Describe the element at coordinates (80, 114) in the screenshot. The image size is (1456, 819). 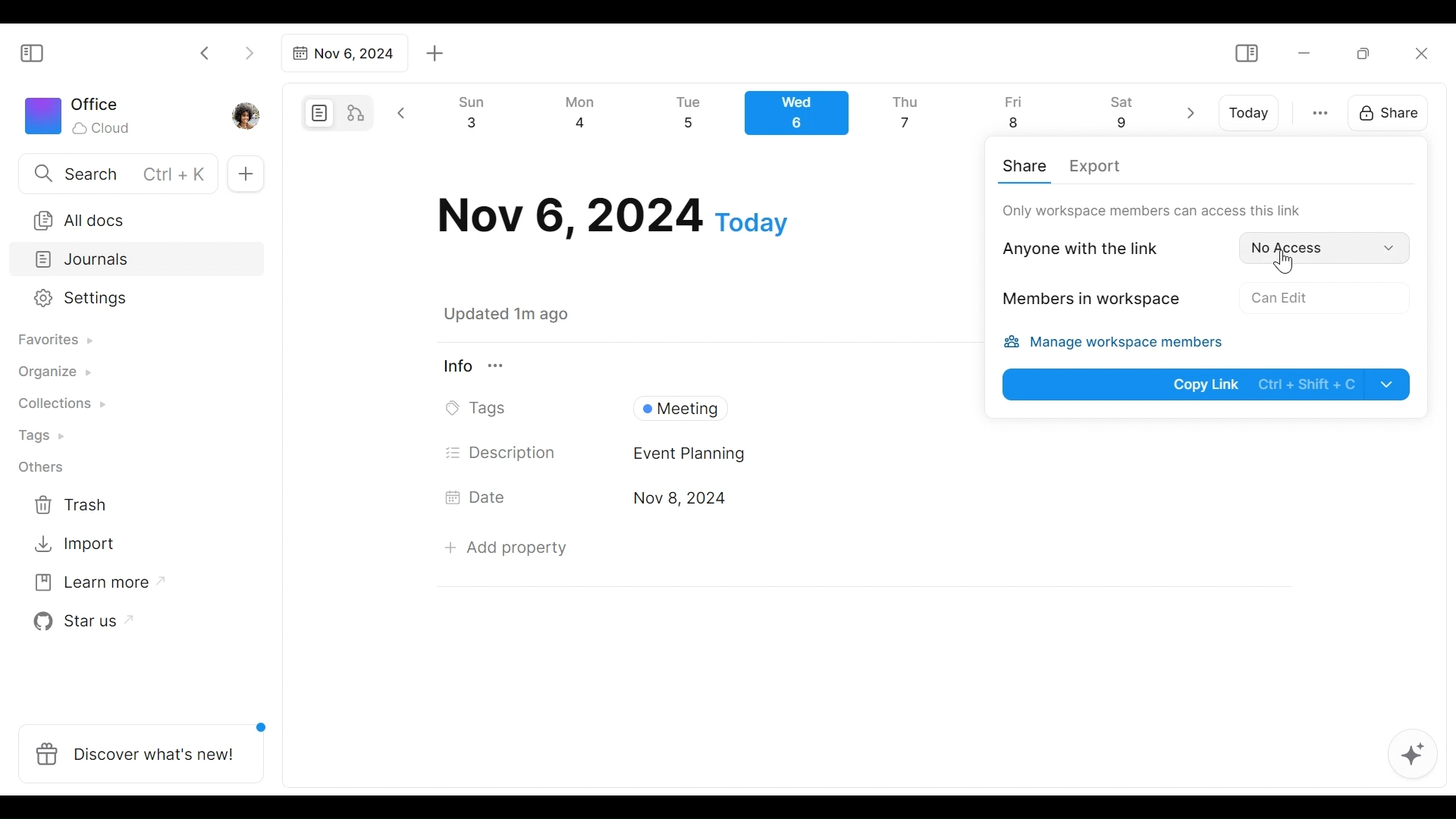
I see `Workspace icon` at that location.